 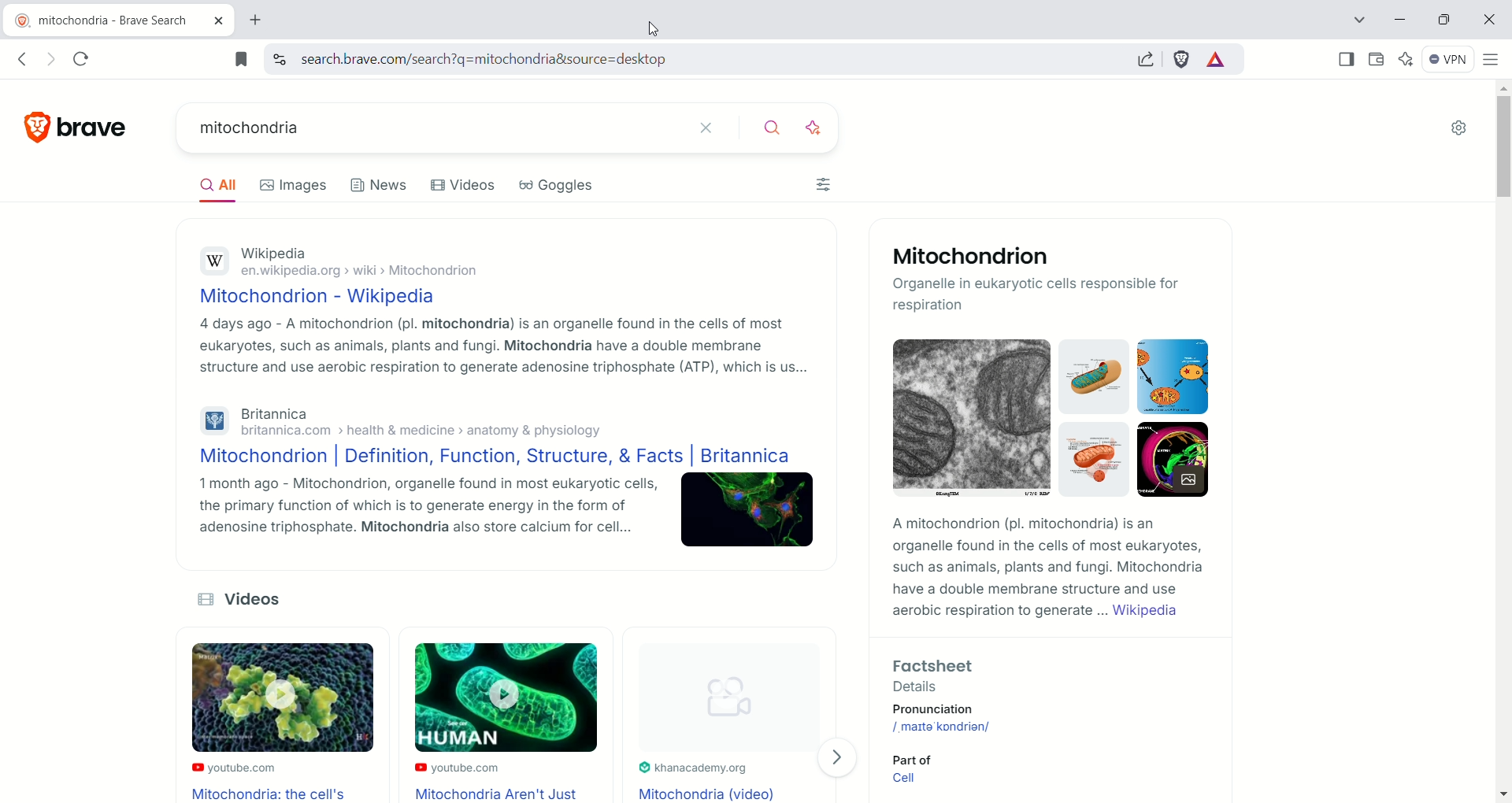 I want to click on current tab, so click(x=105, y=20).